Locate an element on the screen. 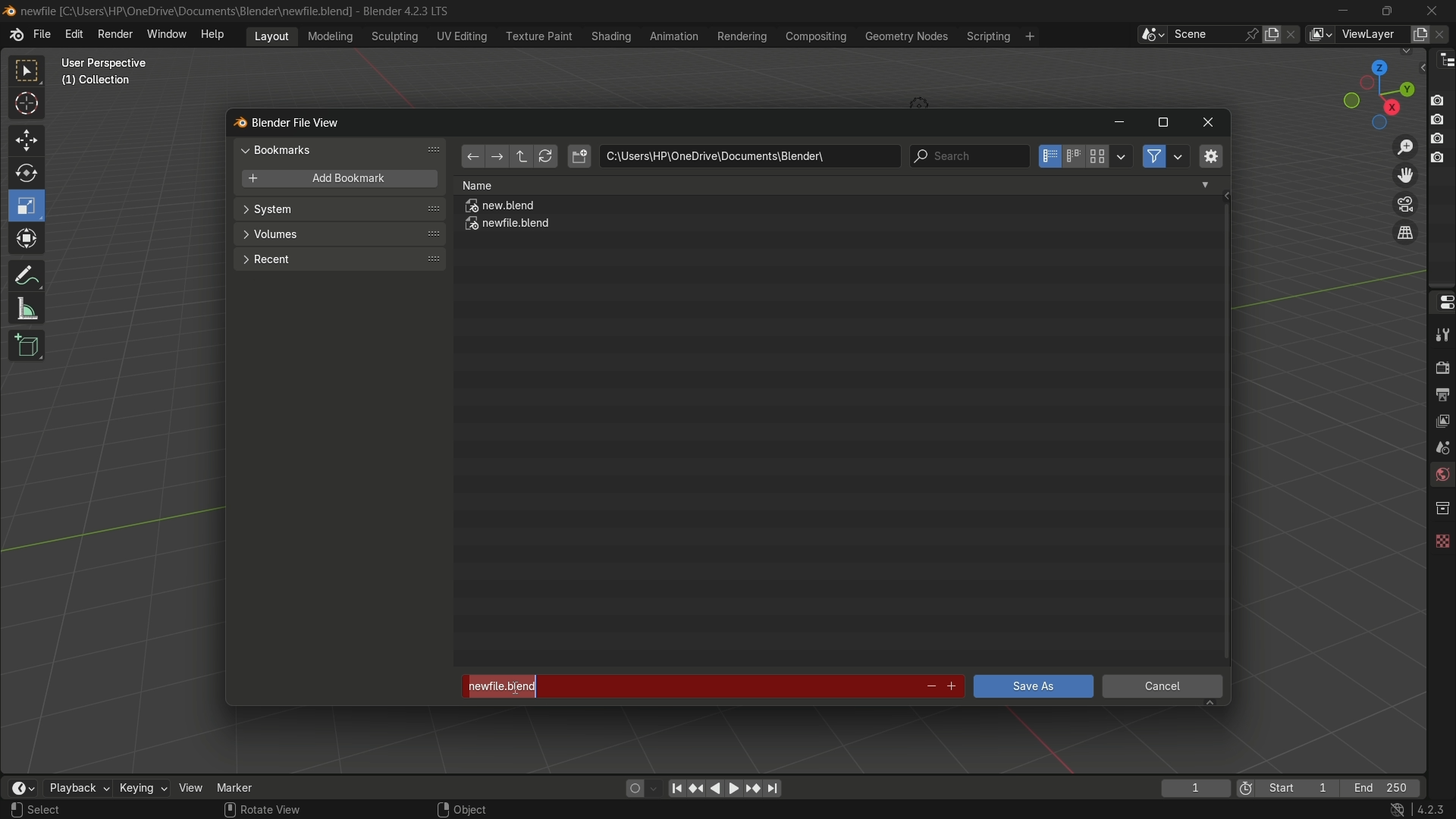 This screenshot has width=1456, height=819. browse scenes is located at coordinates (1152, 35).